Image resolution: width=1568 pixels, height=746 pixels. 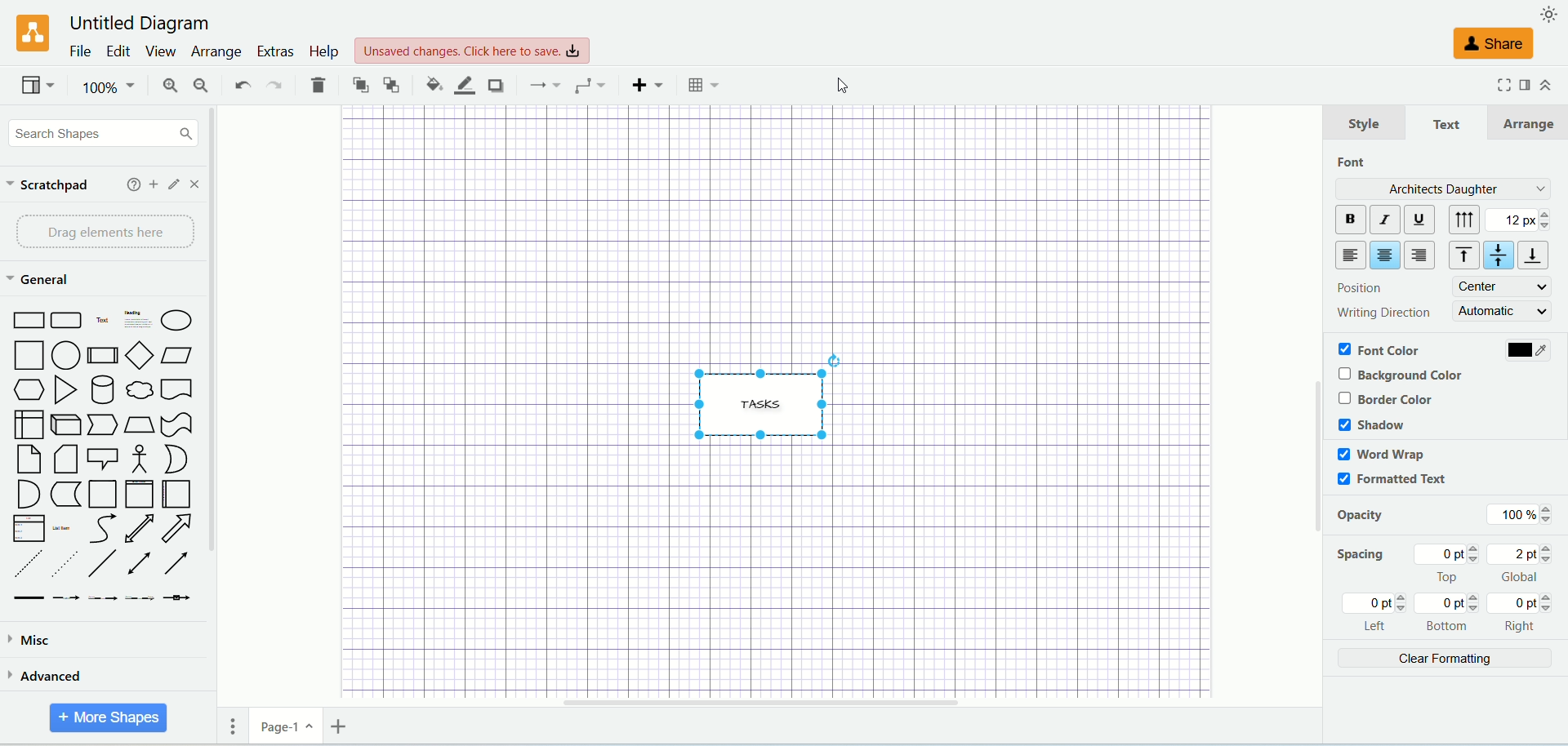 What do you see at coordinates (1526, 350) in the screenshot?
I see `color` at bounding box center [1526, 350].